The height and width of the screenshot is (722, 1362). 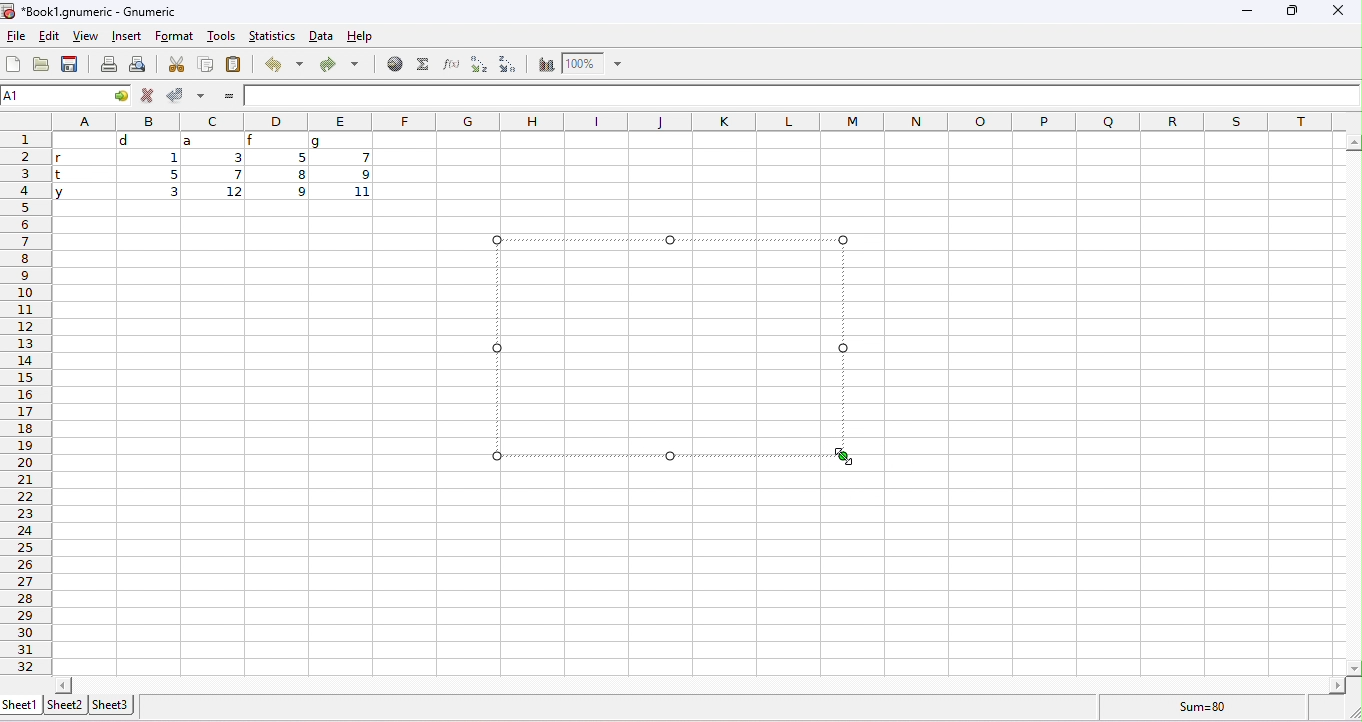 I want to click on help, so click(x=361, y=36).